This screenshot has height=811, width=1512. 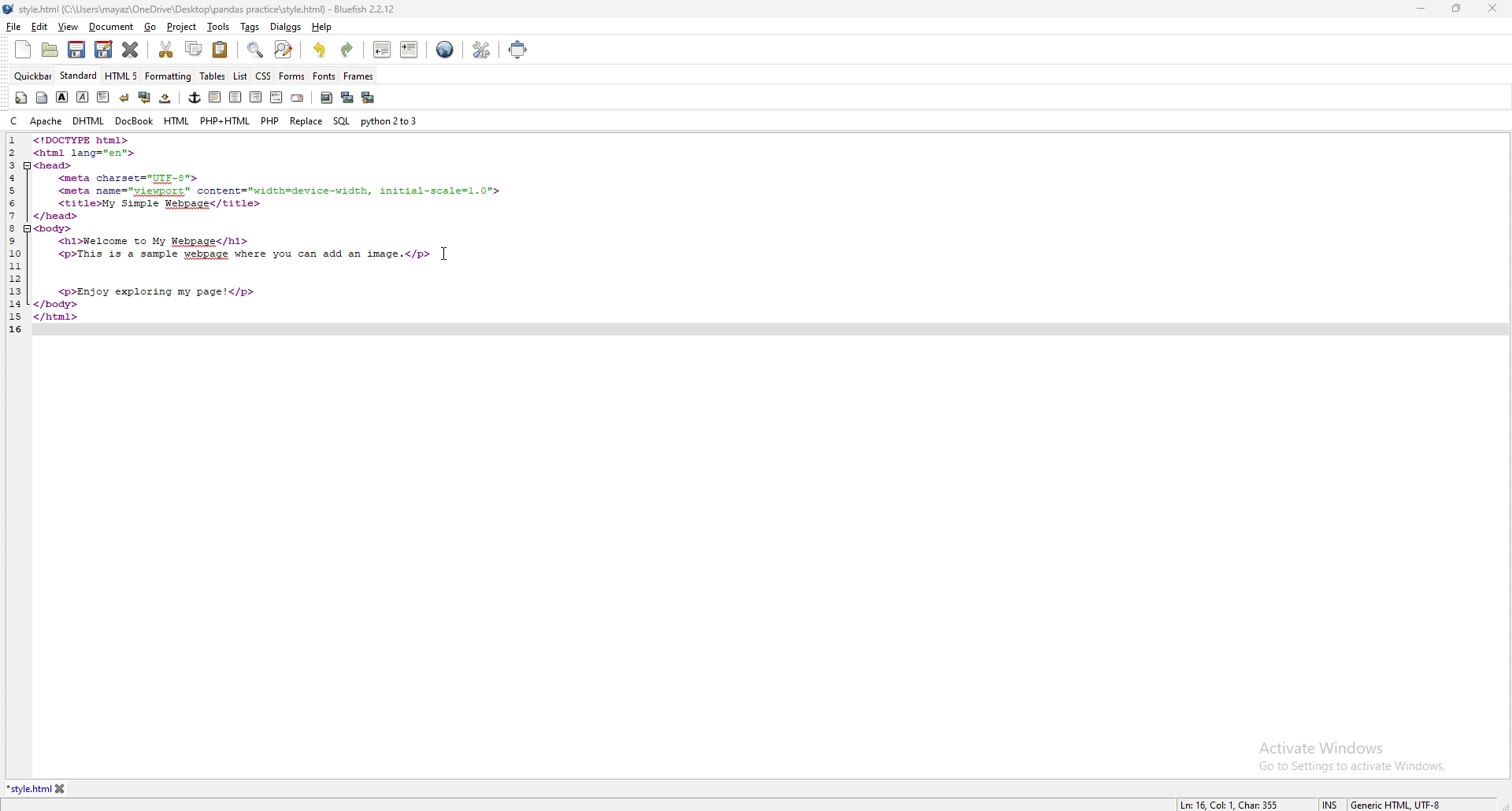 I want to click on paste, so click(x=220, y=50).